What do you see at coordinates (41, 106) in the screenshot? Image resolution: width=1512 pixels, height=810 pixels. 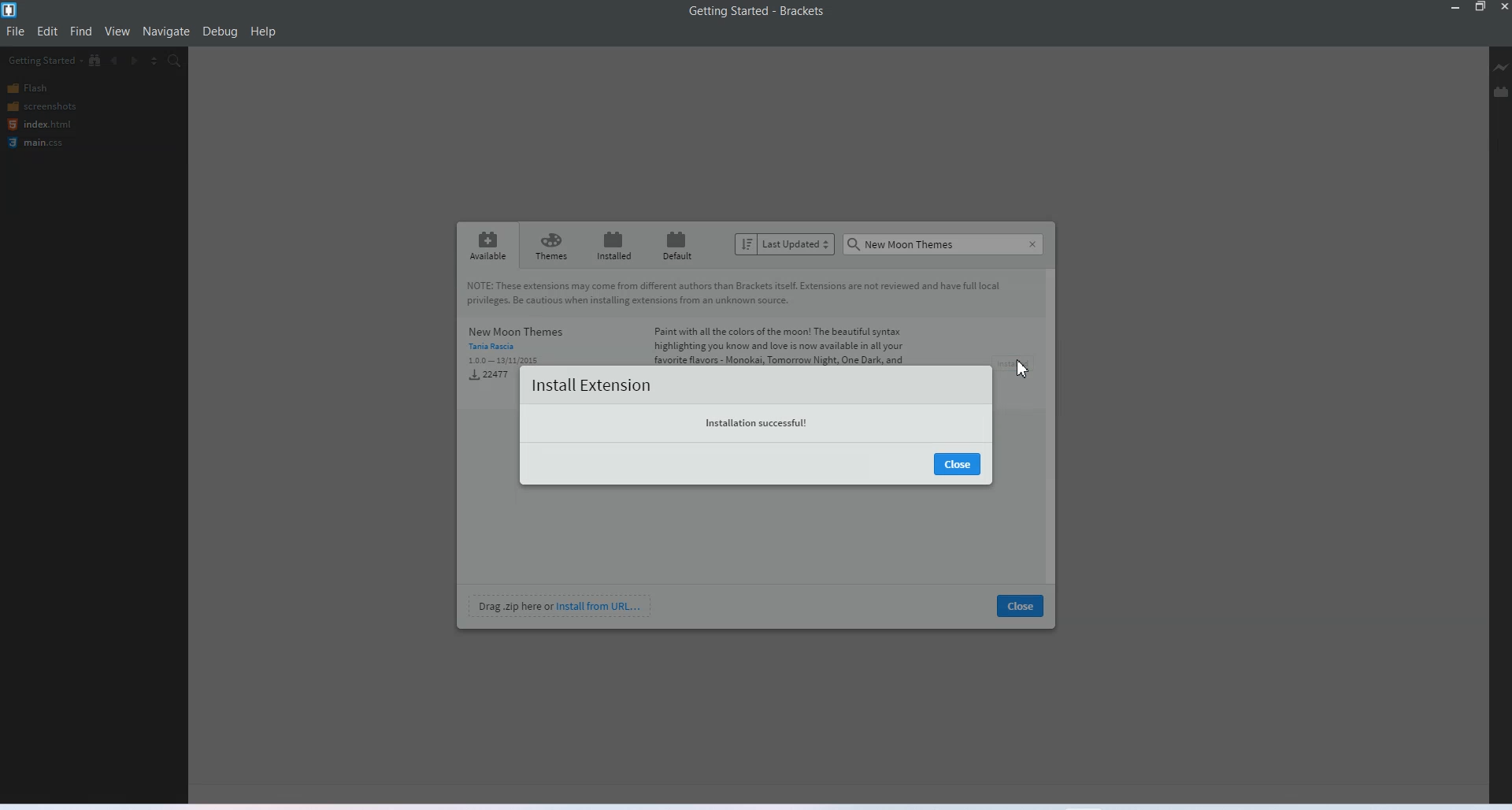 I see `screenshots` at bounding box center [41, 106].